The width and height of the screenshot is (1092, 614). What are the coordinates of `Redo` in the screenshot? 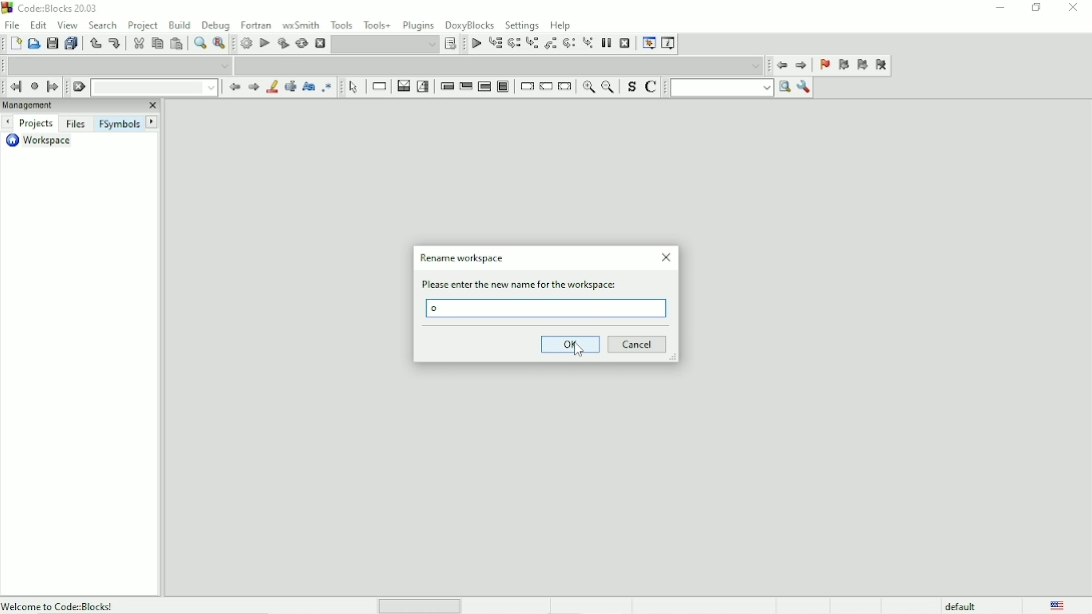 It's located at (114, 43).